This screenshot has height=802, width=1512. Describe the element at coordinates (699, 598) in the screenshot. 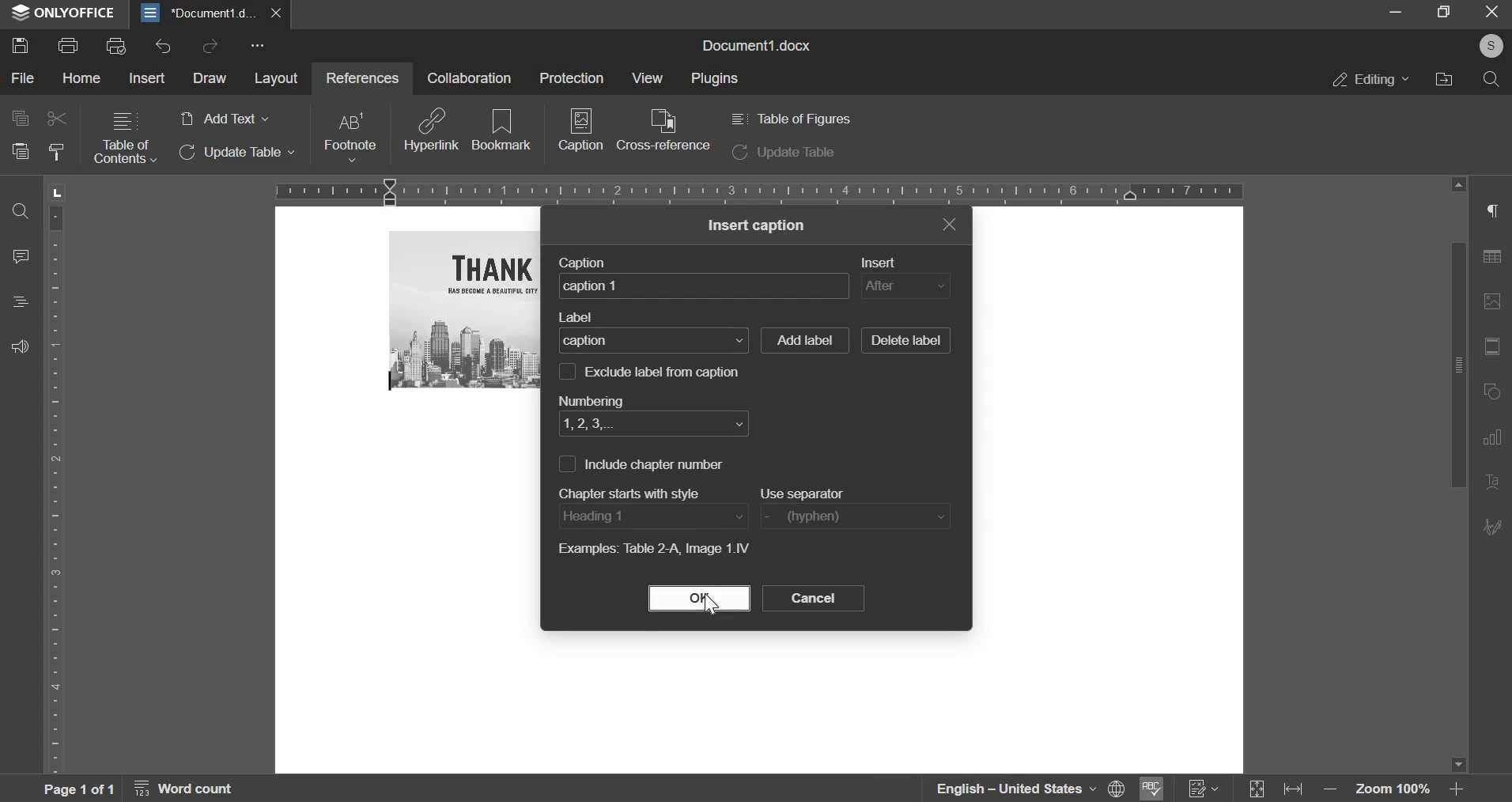

I see `ok` at that location.